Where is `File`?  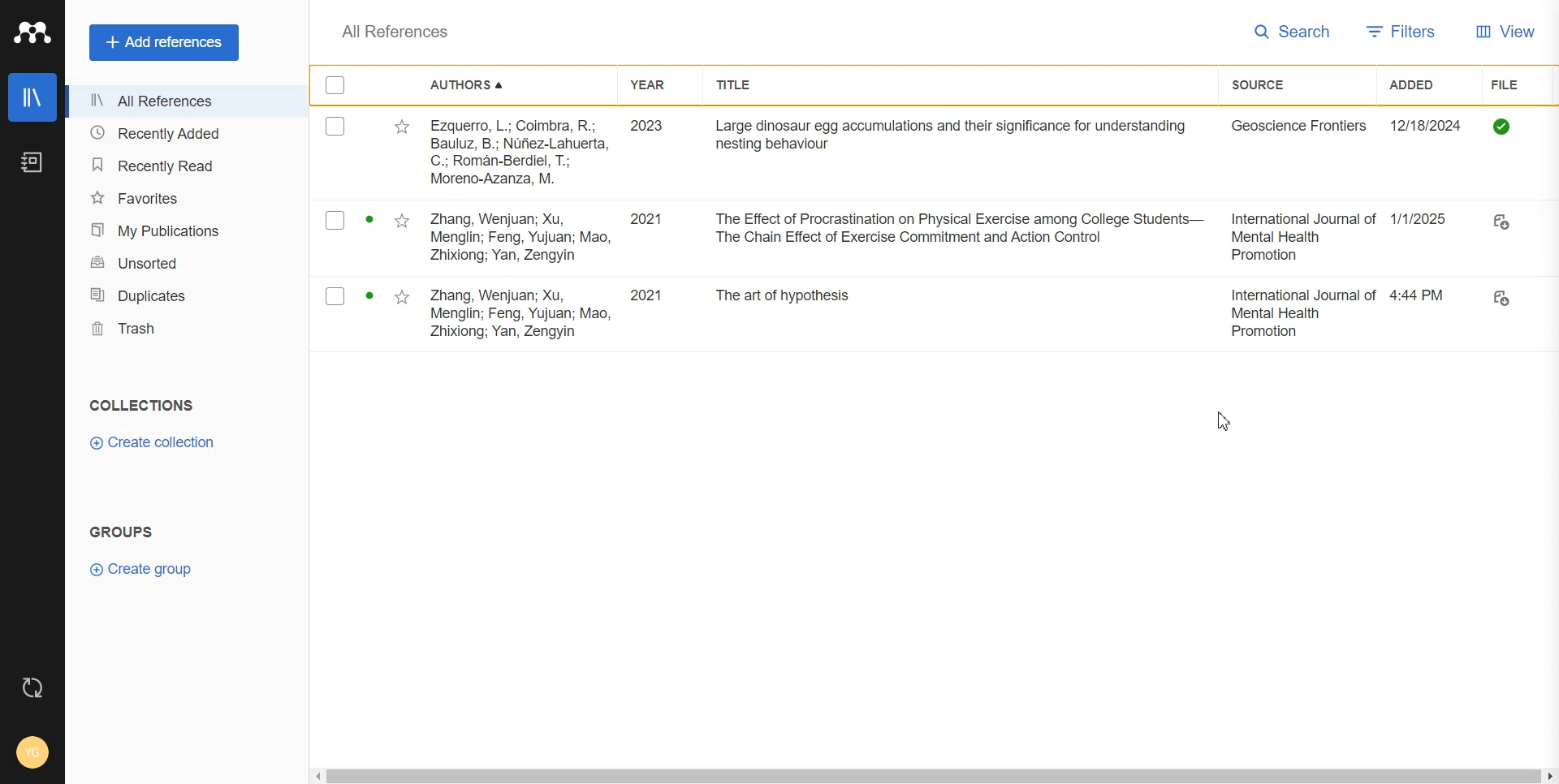 File is located at coordinates (1506, 84).